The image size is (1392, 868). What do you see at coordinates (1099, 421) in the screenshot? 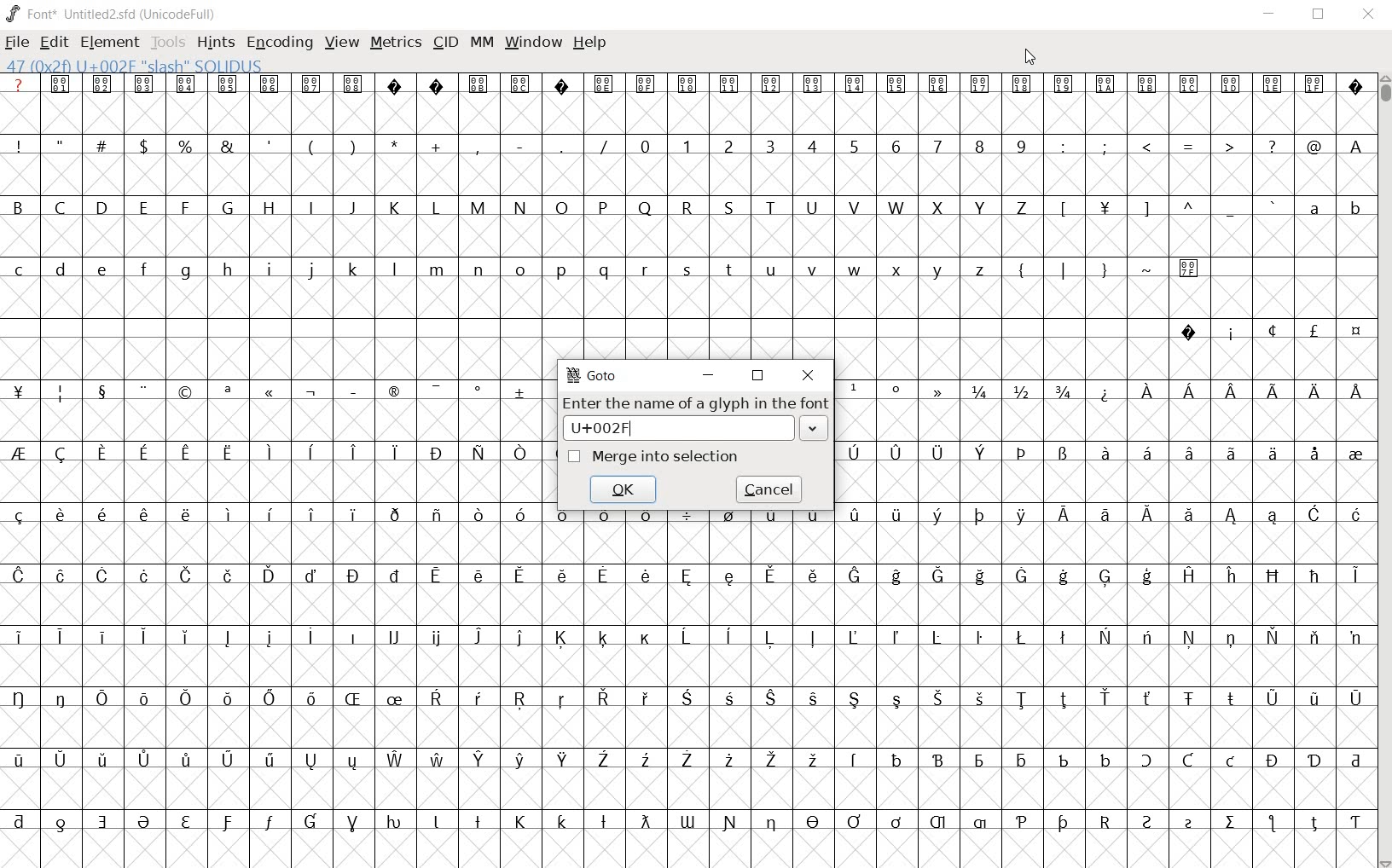
I see `empty cells` at bounding box center [1099, 421].